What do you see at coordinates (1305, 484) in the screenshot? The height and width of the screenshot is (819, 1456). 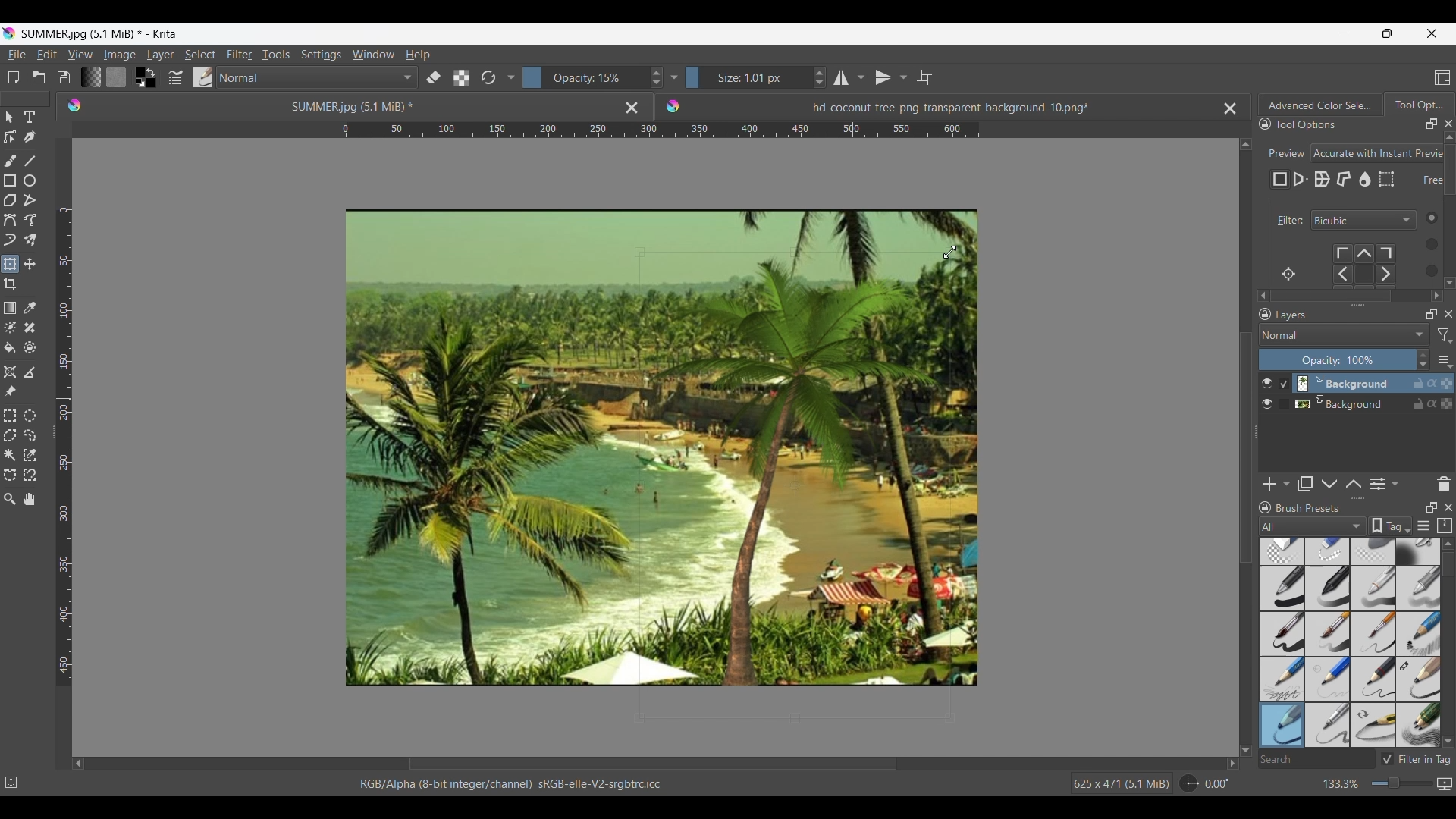 I see `Duplicate layer/mask` at bounding box center [1305, 484].